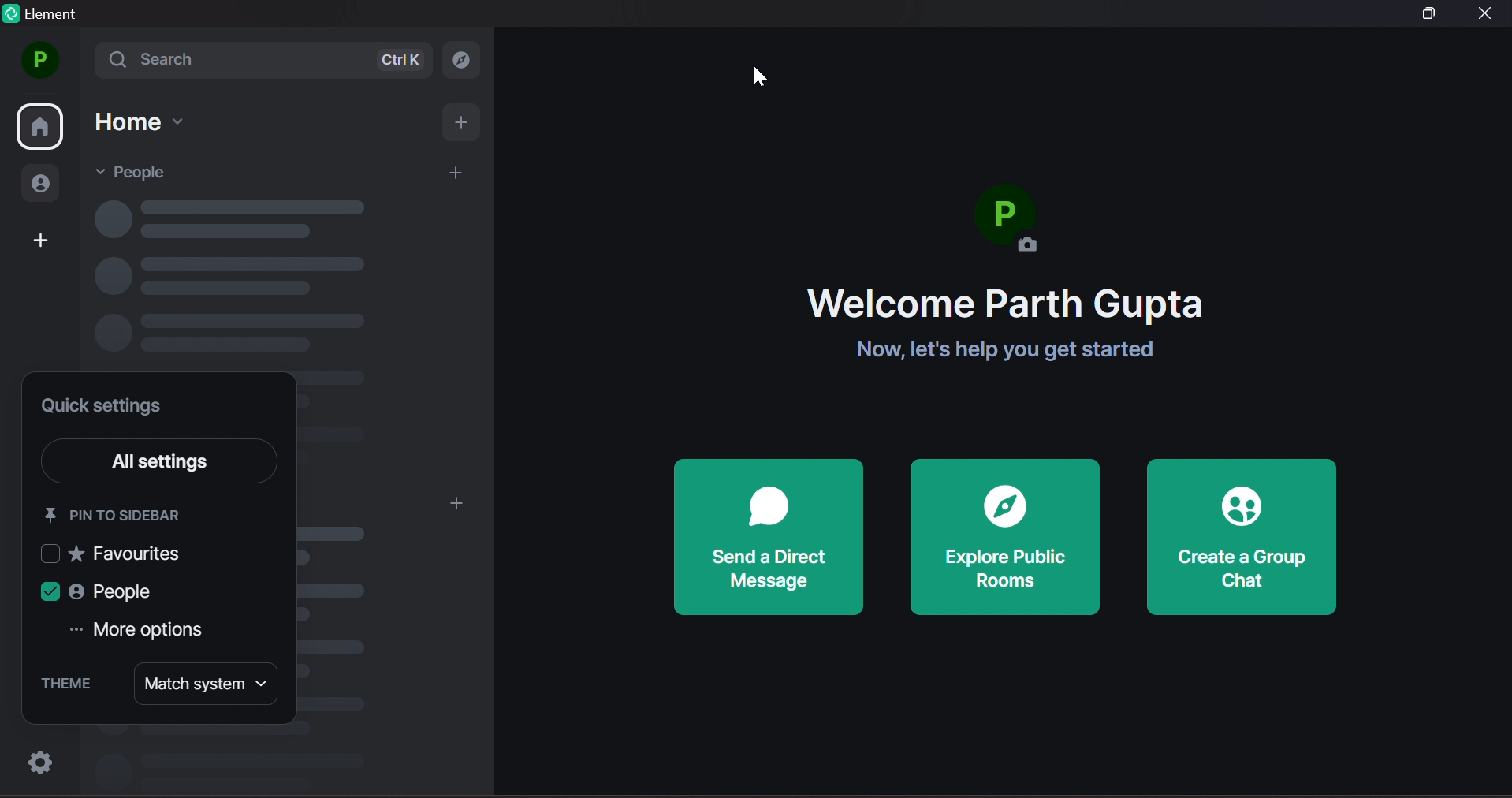 Image resolution: width=1512 pixels, height=798 pixels. I want to click on All settings, so click(181, 463).